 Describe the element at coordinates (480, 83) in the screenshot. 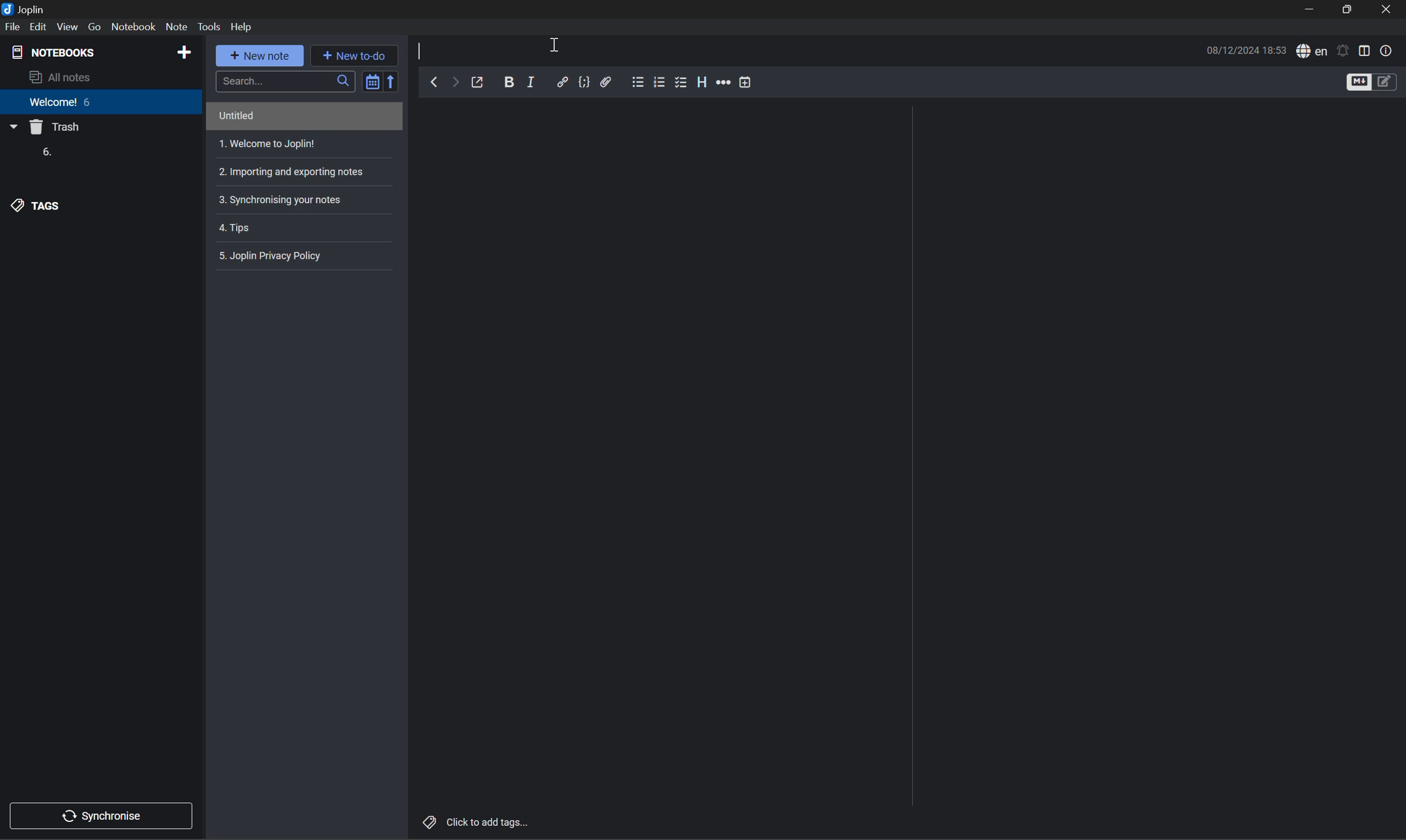

I see `Toggle external editing` at that location.